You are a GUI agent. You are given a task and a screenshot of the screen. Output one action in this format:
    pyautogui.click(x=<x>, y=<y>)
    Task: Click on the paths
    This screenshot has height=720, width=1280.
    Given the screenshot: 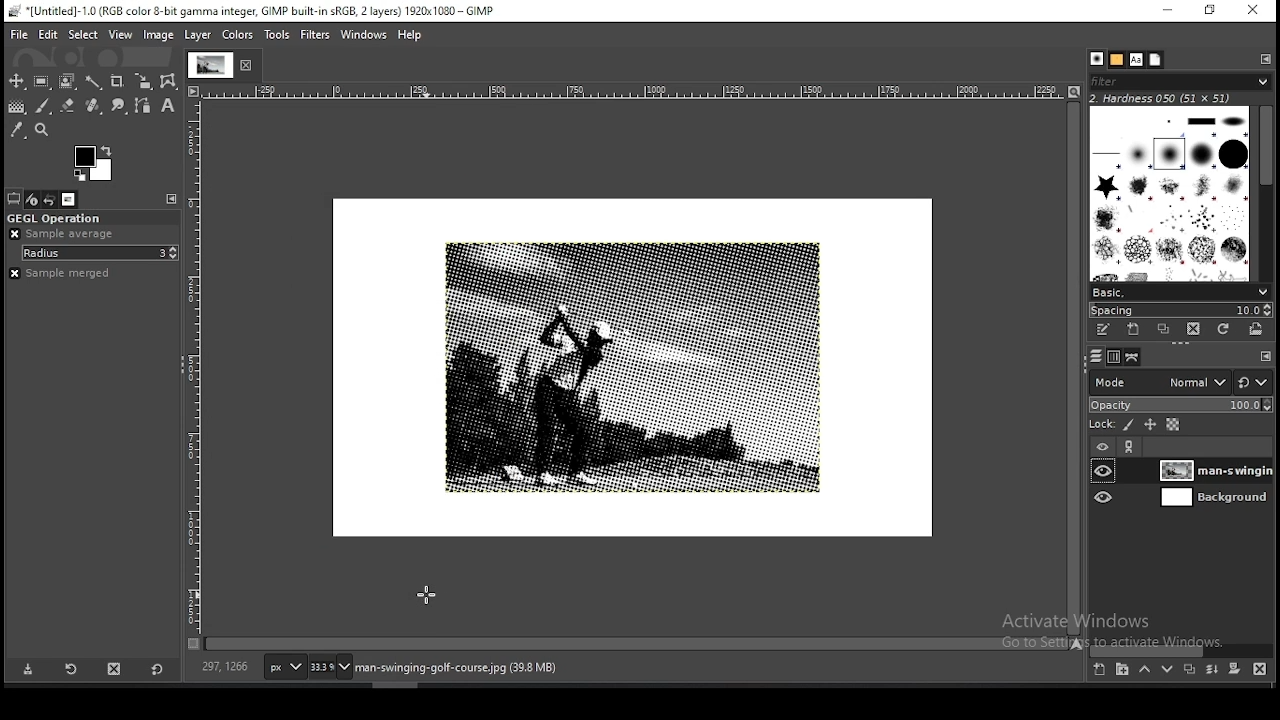 What is the action you would take?
    pyautogui.click(x=1134, y=357)
    